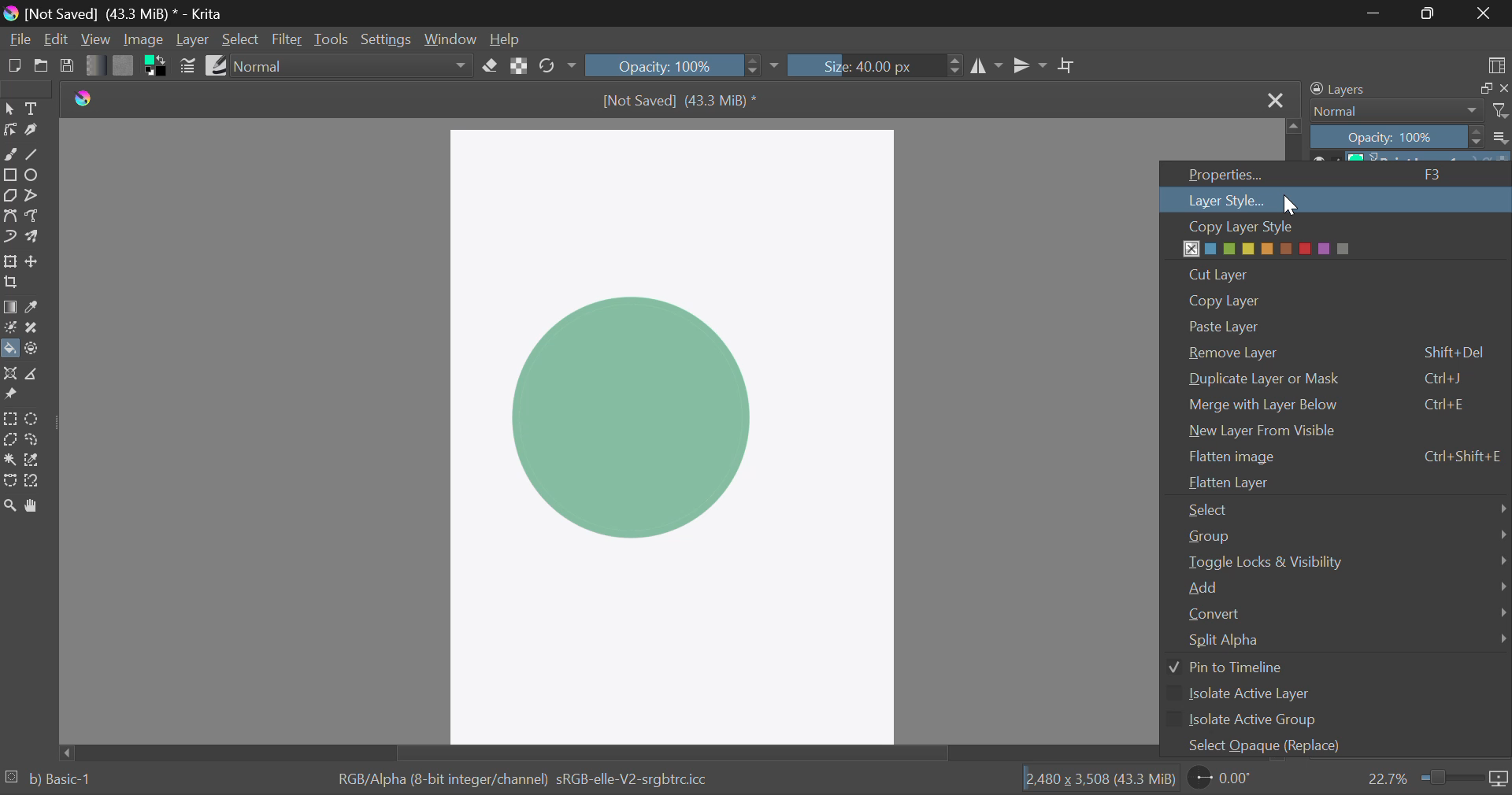 This screenshot has height=795, width=1512. What do you see at coordinates (10, 238) in the screenshot?
I see `Dynamic Brush` at bounding box center [10, 238].